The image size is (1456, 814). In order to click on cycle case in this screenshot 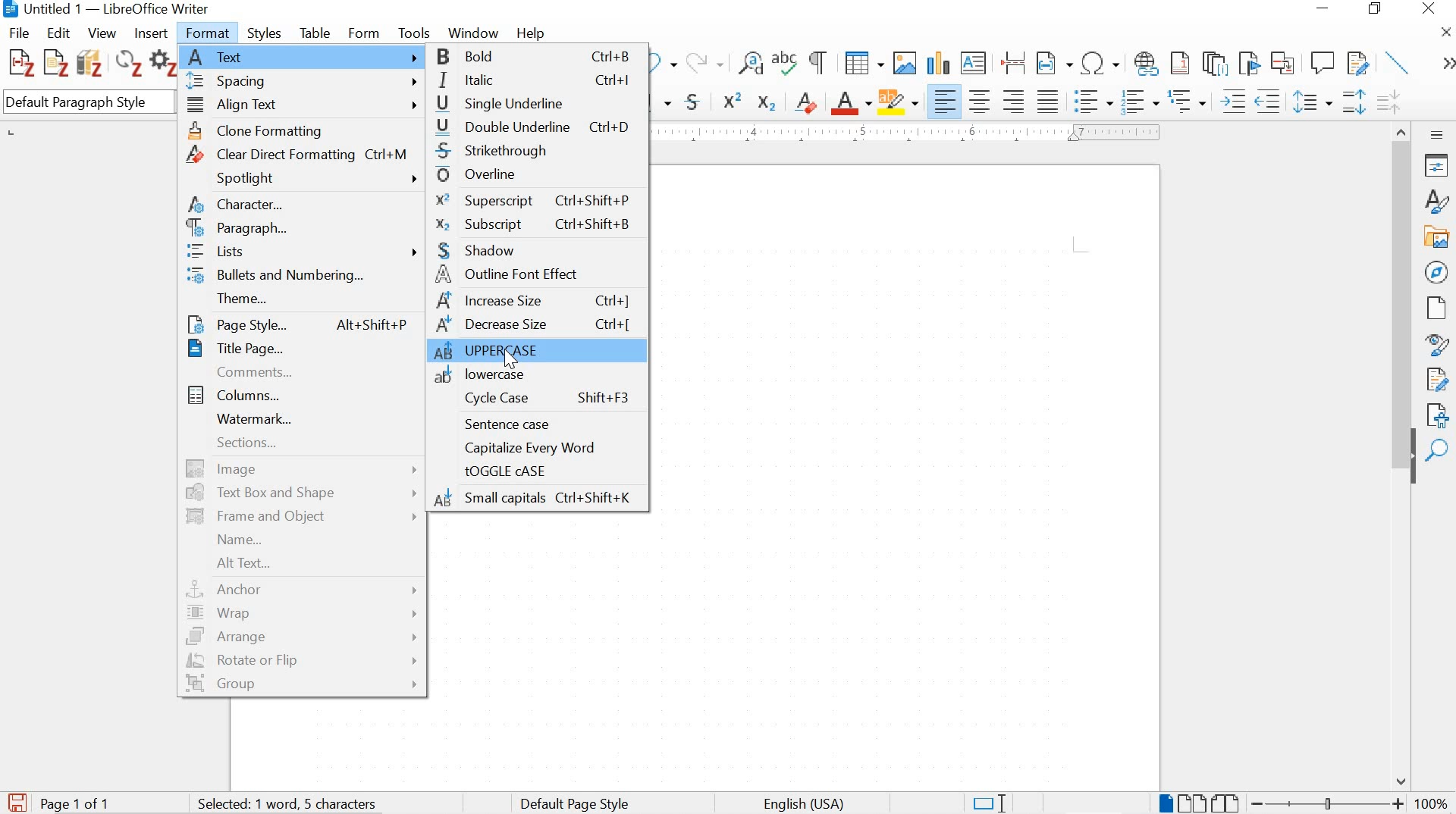, I will do `click(537, 399)`.